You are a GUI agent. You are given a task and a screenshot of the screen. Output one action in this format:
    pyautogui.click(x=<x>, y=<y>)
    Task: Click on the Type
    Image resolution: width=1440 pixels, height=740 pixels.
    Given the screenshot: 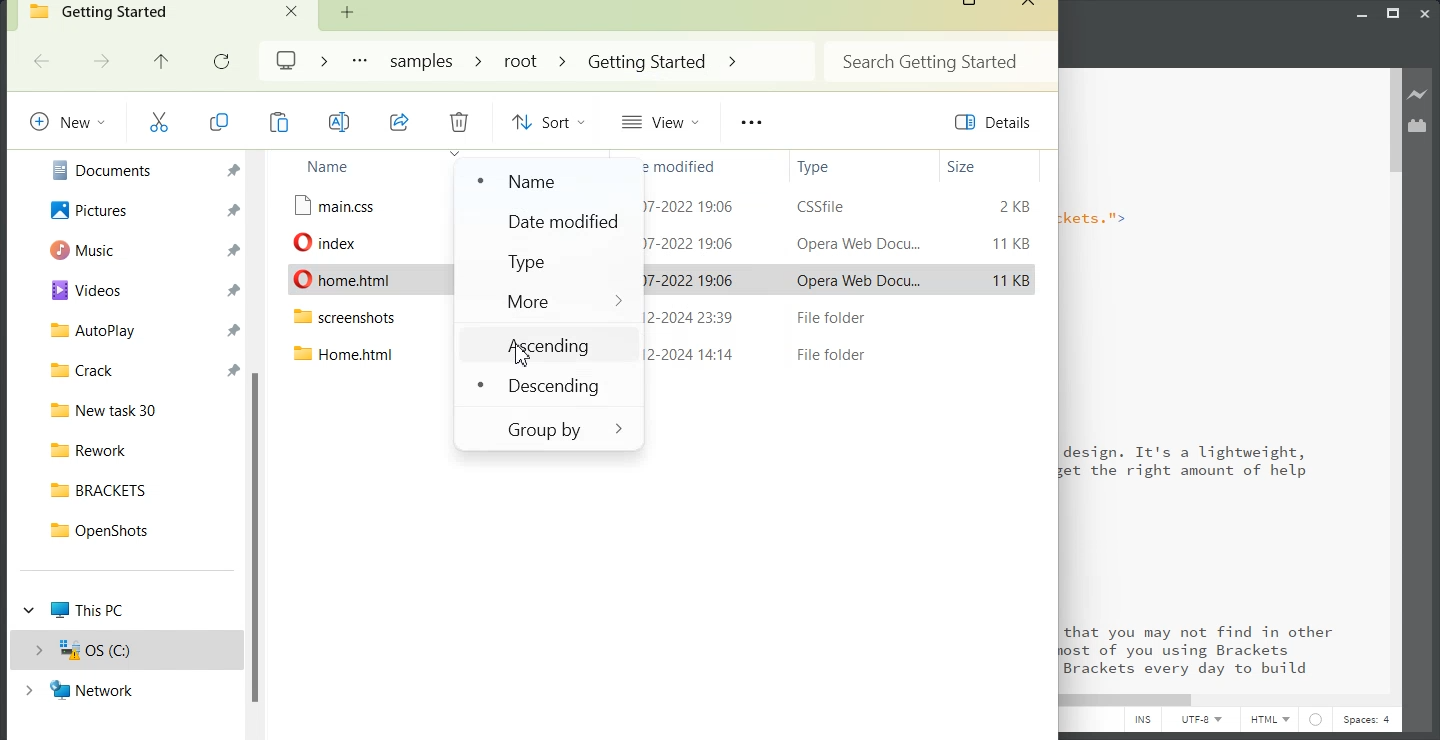 What is the action you would take?
    pyautogui.click(x=843, y=166)
    